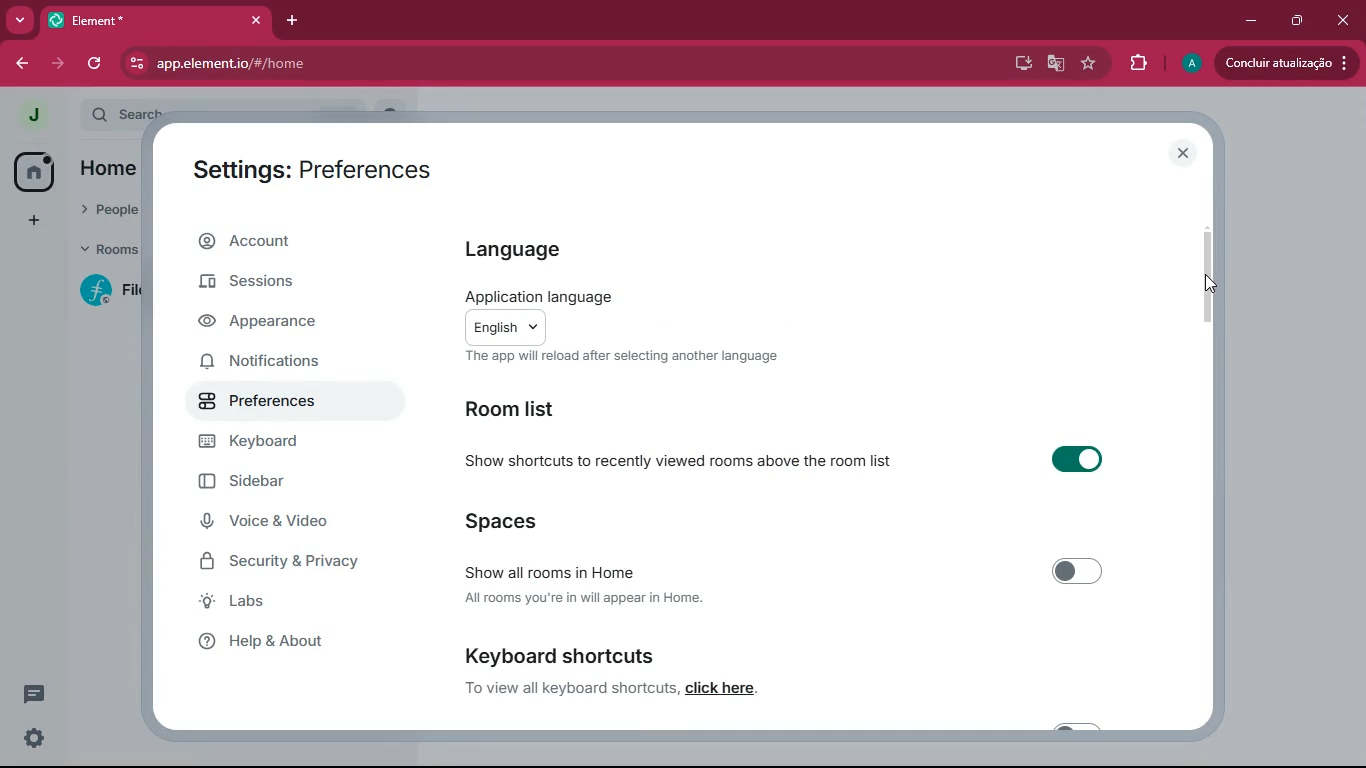  What do you see at coordinates (108, 170) in the screenshot?
I see `home` at bounding box center [108, 170].